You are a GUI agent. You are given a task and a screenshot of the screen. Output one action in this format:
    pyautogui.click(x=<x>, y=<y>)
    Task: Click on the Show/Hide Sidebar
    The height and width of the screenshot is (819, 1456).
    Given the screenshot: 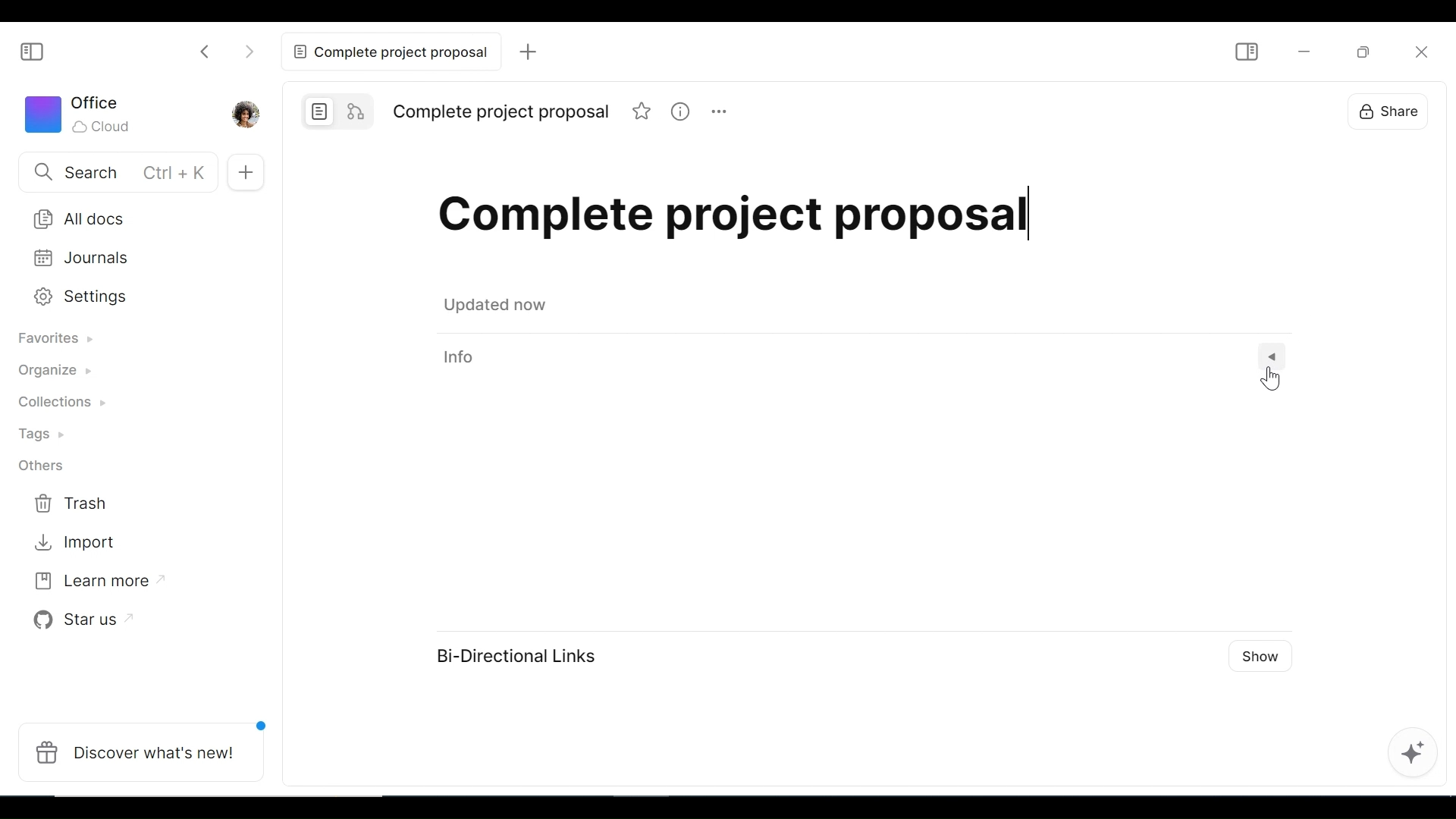 What is the action you would take?
    pyautogui.click(x=33, y=50)
    